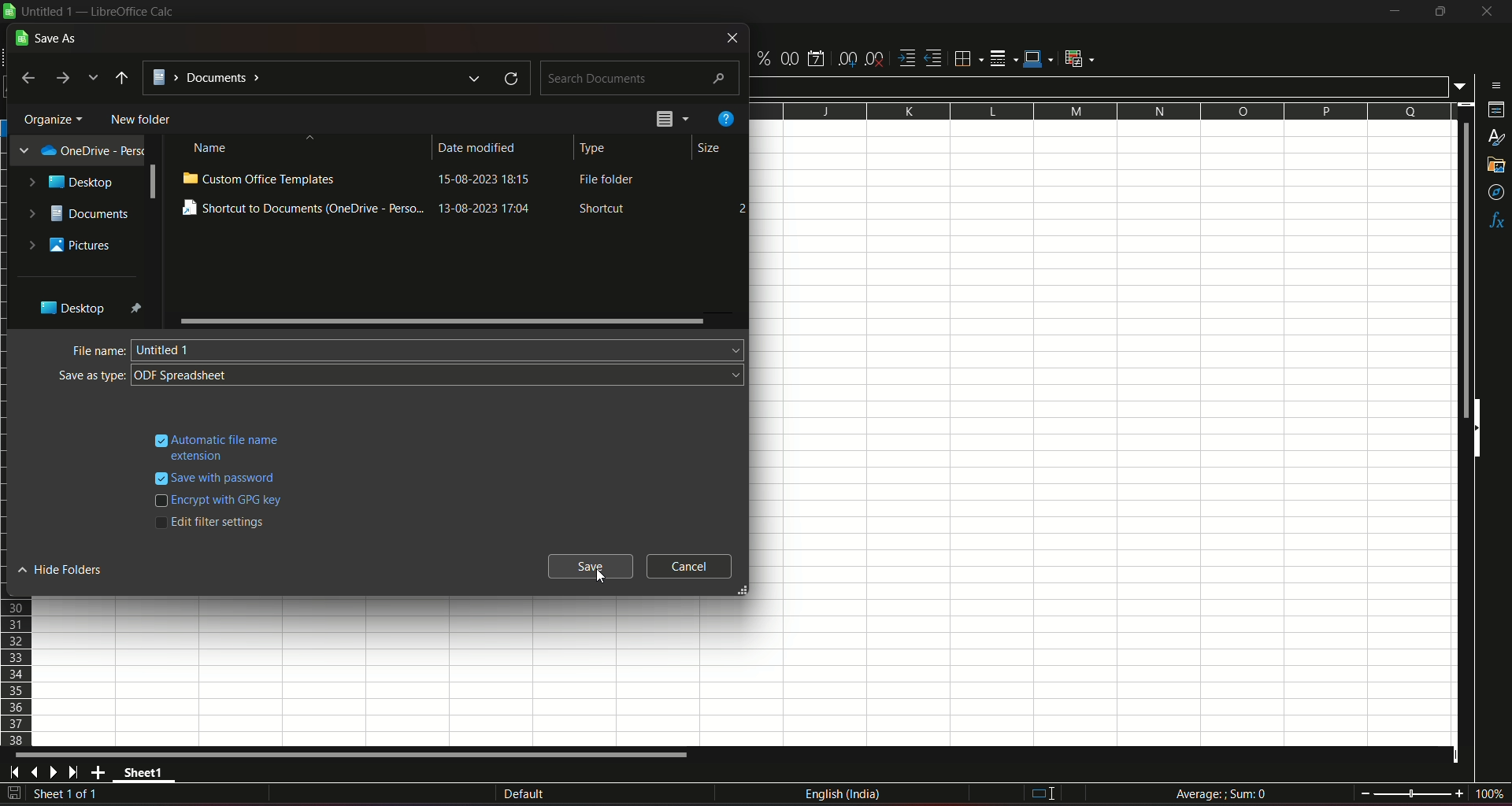 Image resolution: width=1512 pixels, height=806 pixels. Describe the element at coordinates (524, 793) in the screenshot. I see `default` at that location.